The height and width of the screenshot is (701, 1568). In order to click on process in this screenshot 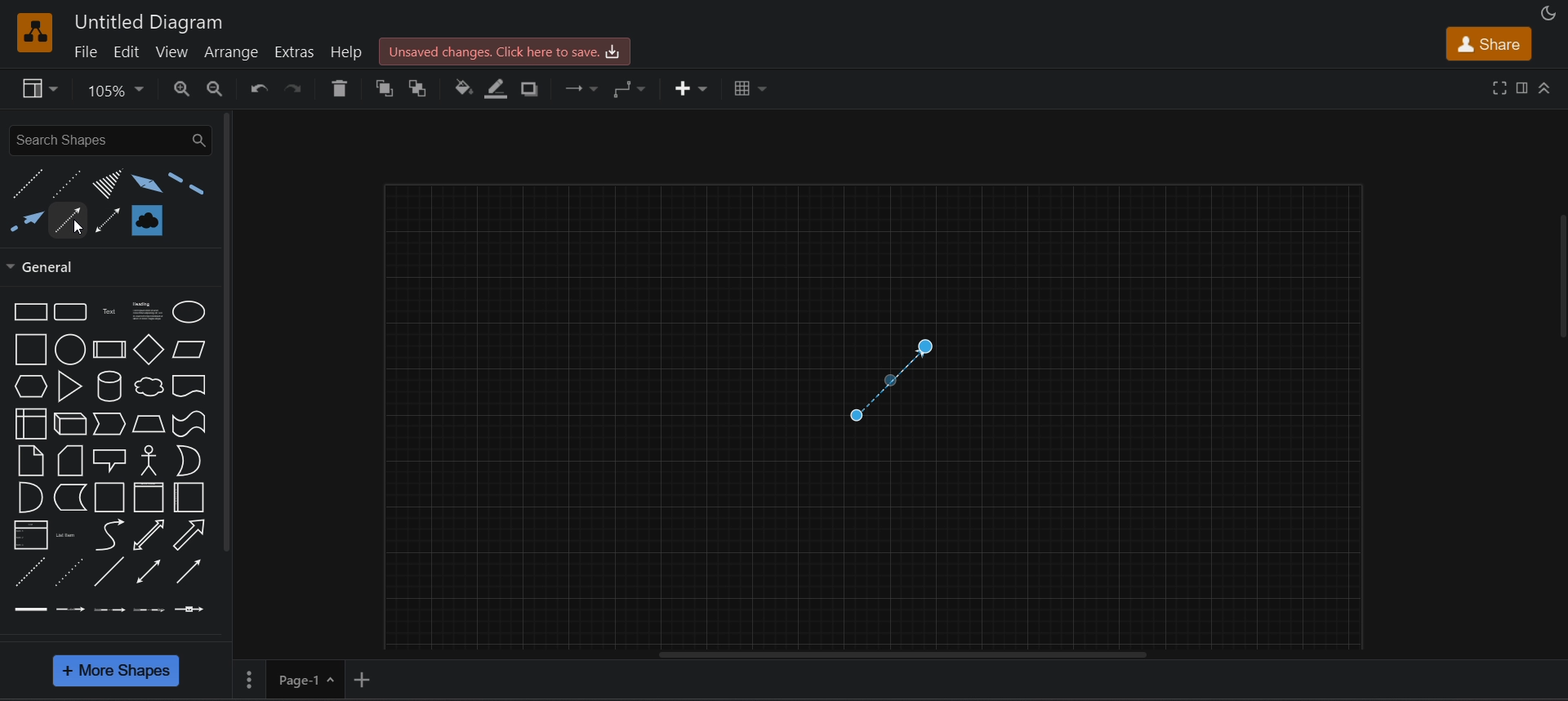, I will do `click(109, 350)`.